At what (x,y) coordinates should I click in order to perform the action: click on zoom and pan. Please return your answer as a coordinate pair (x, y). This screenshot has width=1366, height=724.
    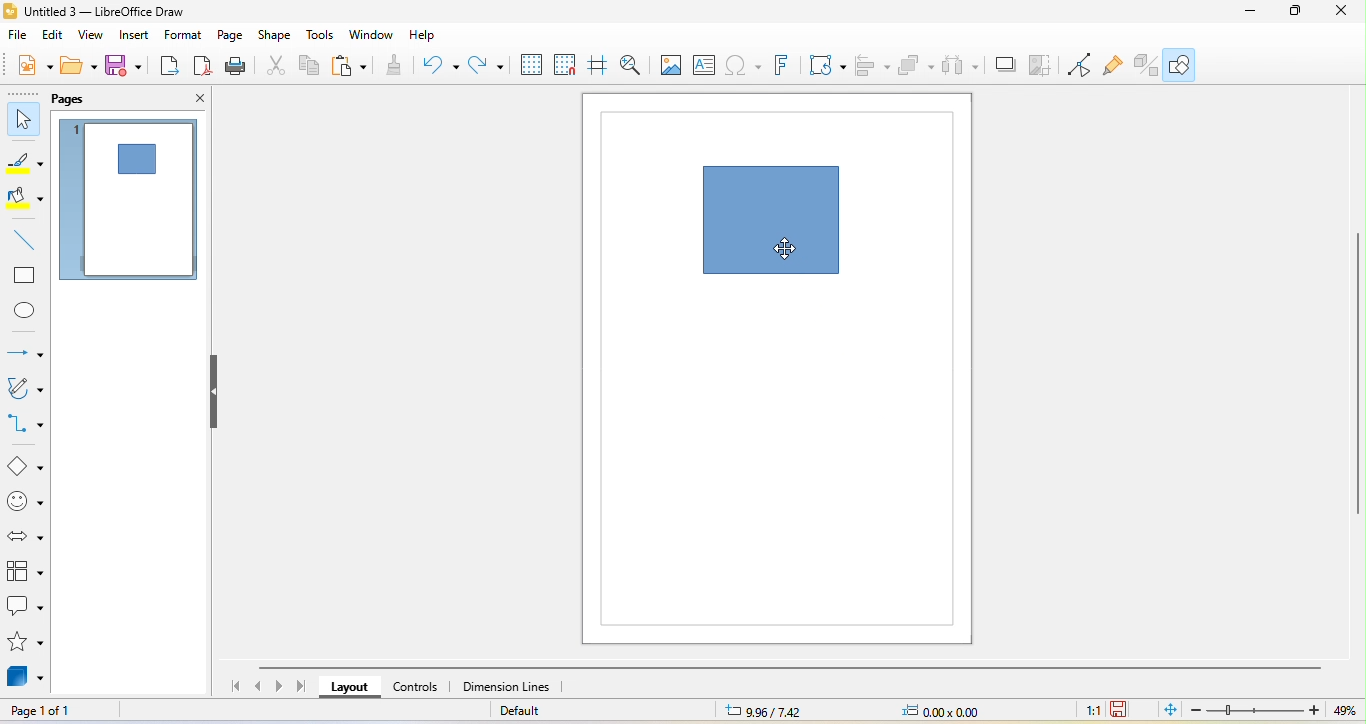
    Looking at the image, I should click on (633, 65).